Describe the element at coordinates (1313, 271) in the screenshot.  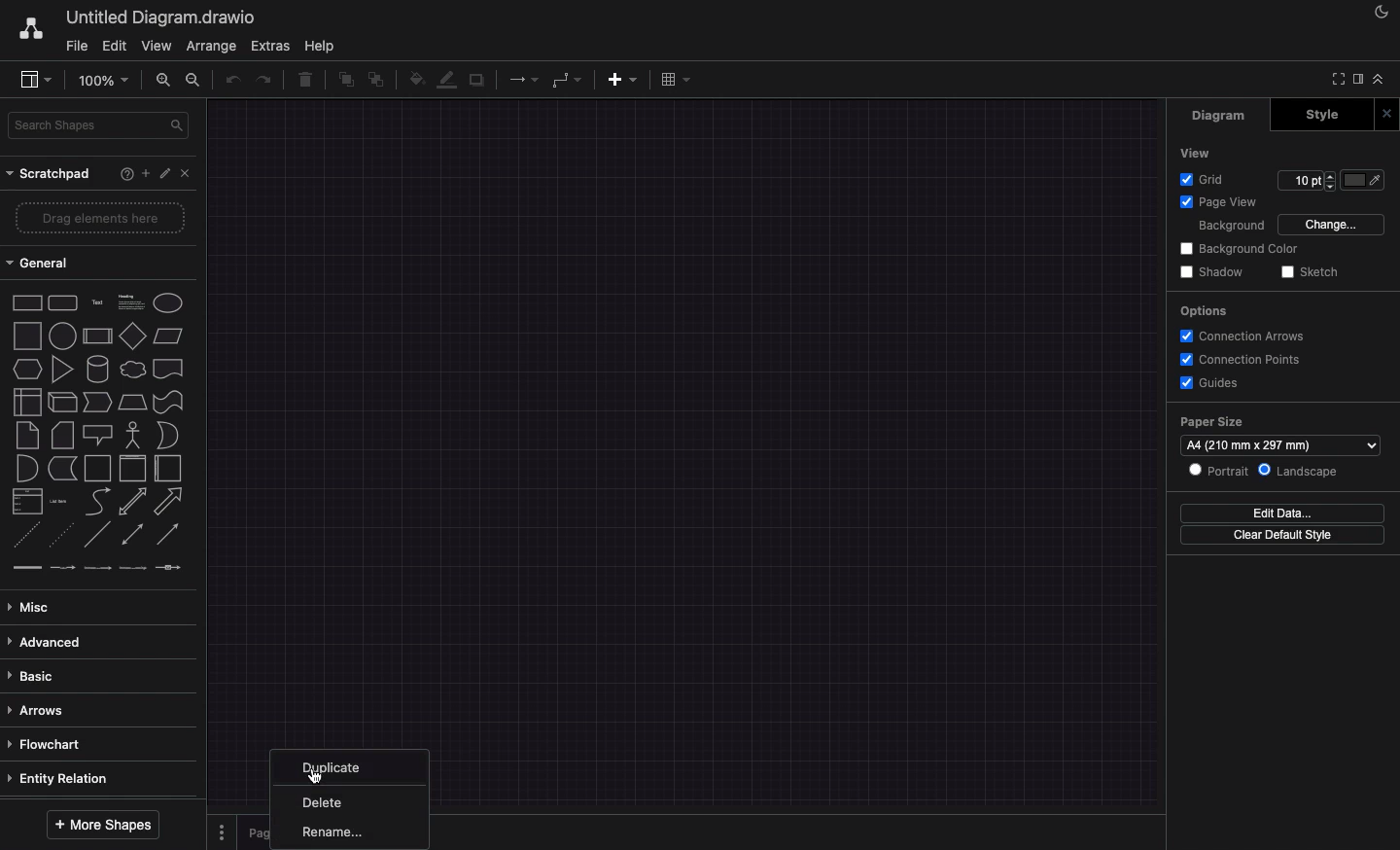
I see `sketch` at that location.